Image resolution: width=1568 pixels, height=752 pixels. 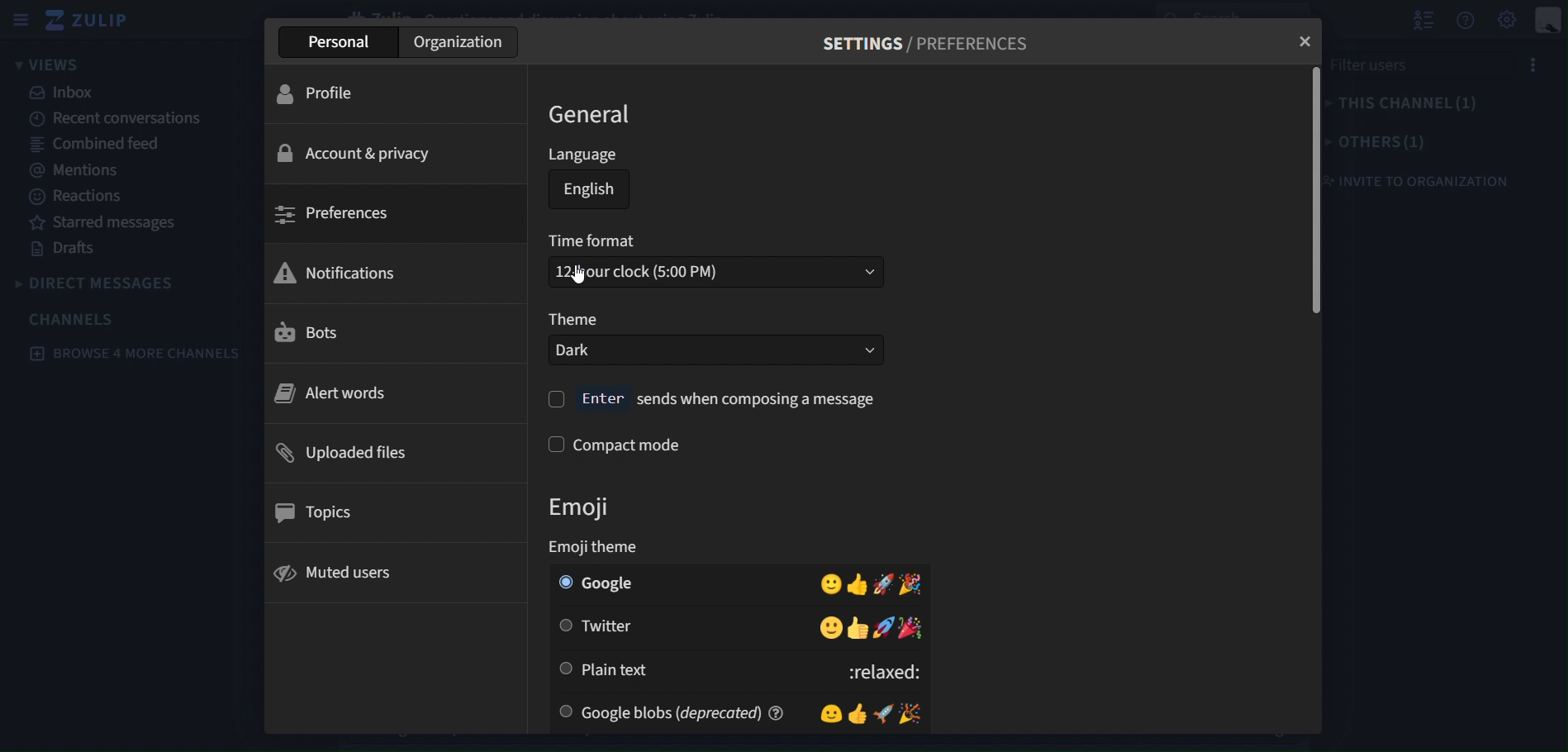 What do you see at coordinates (839, 627) in the screenshot?
I see `Emojis` at bounding box center [839, 627].